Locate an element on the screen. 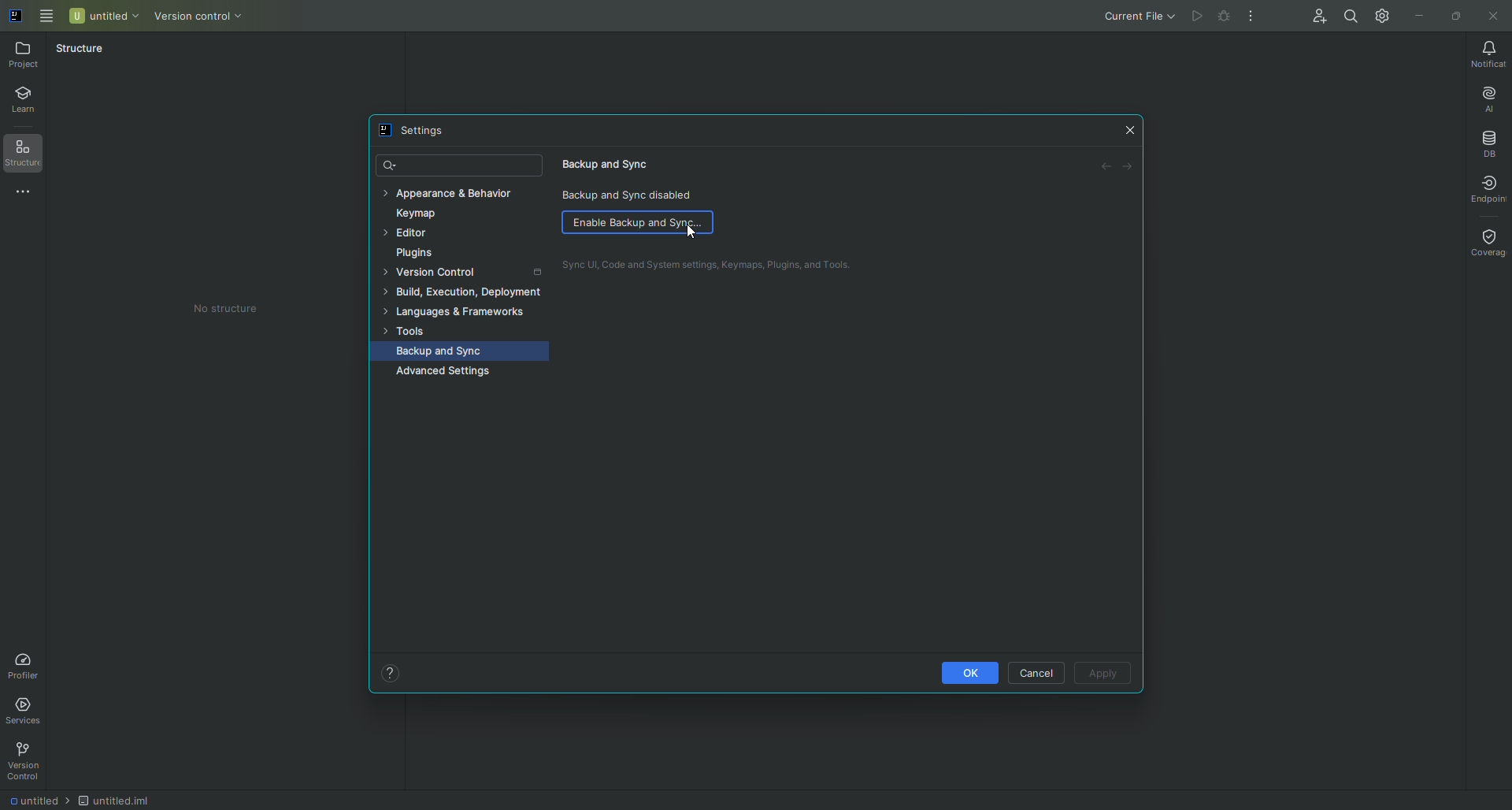 This screenshot has width=1512, height=810. Notifications is located at coordinates (1483, 54).